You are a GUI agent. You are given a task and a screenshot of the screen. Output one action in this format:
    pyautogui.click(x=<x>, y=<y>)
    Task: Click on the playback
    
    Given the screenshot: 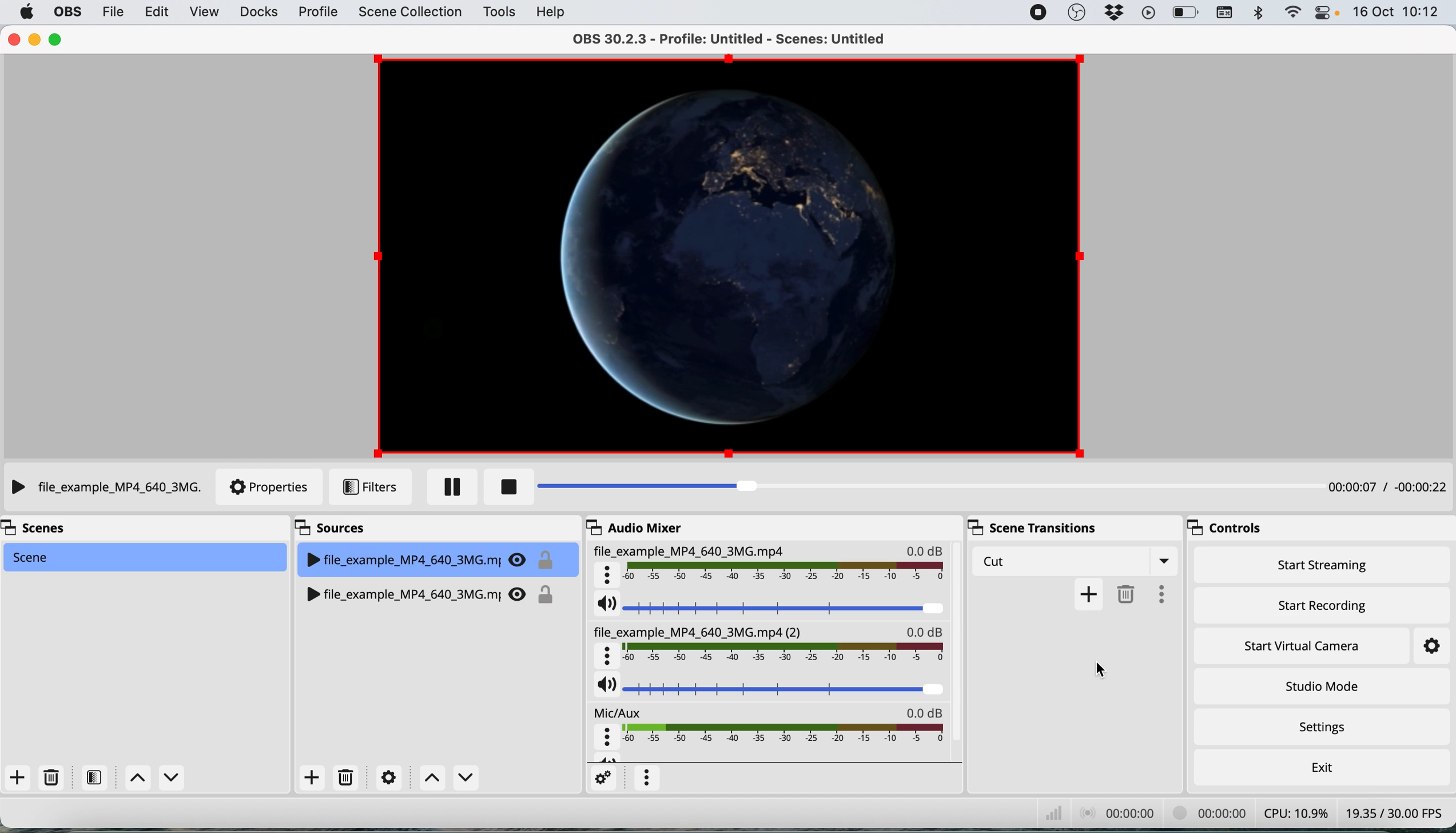 What is the action you would take?
    pyautogui.click(x=1151, y=14)
    